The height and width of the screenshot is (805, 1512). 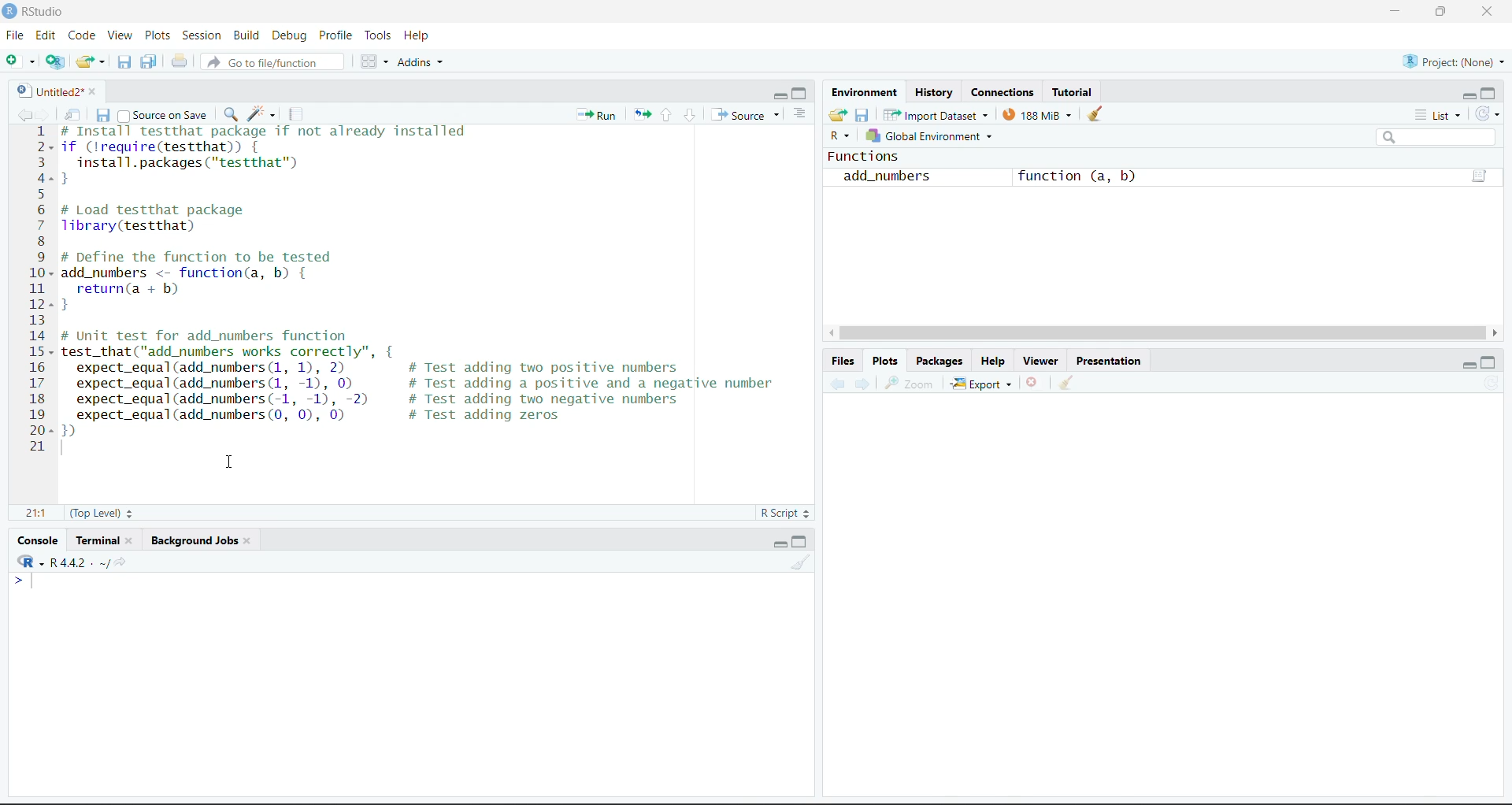 I want to click on Load workspace, so click(x=837, y=117).